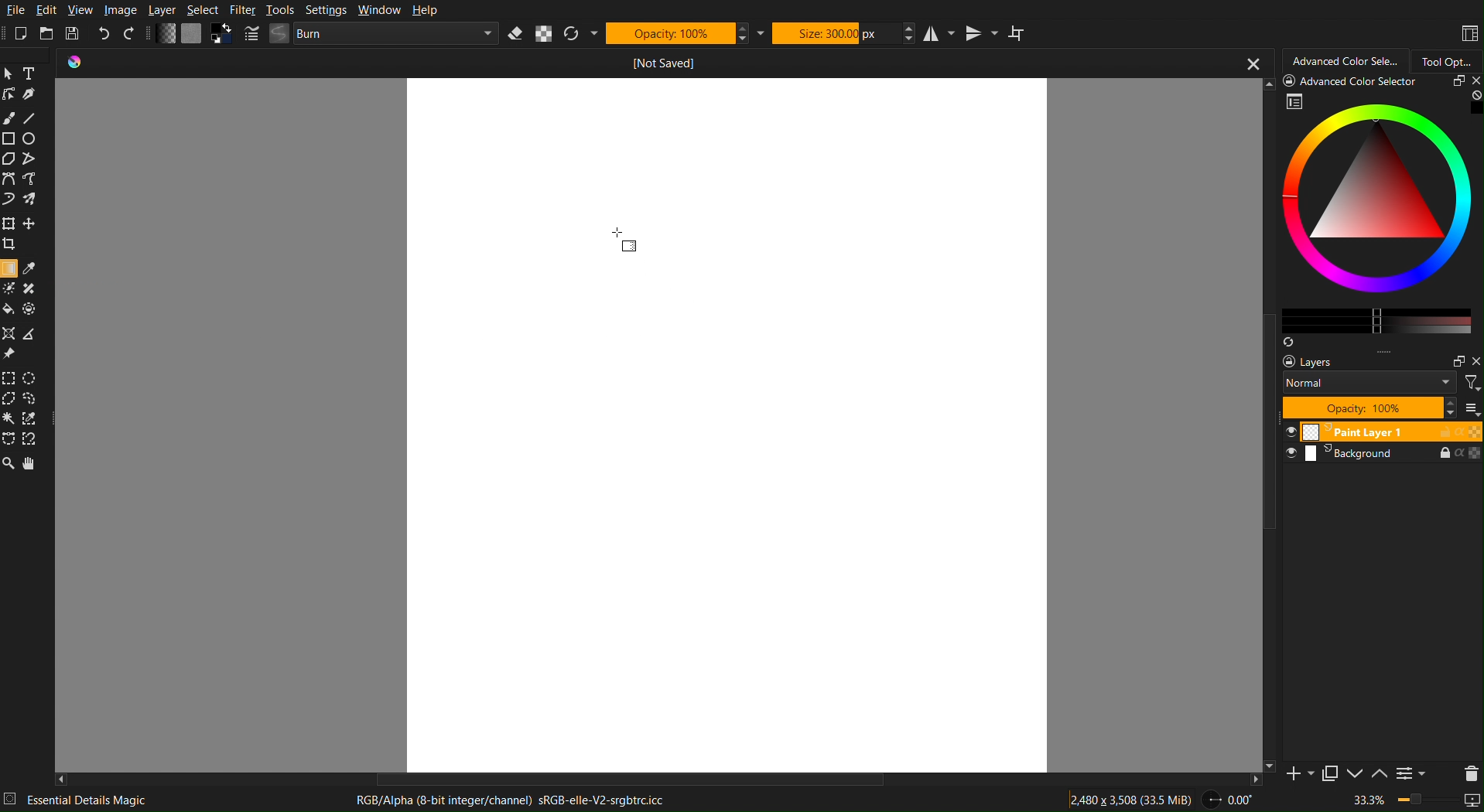  What do you see at coordinates (377, 11) in the screenshot?
I see `Window` at bounding box center [377, 11].